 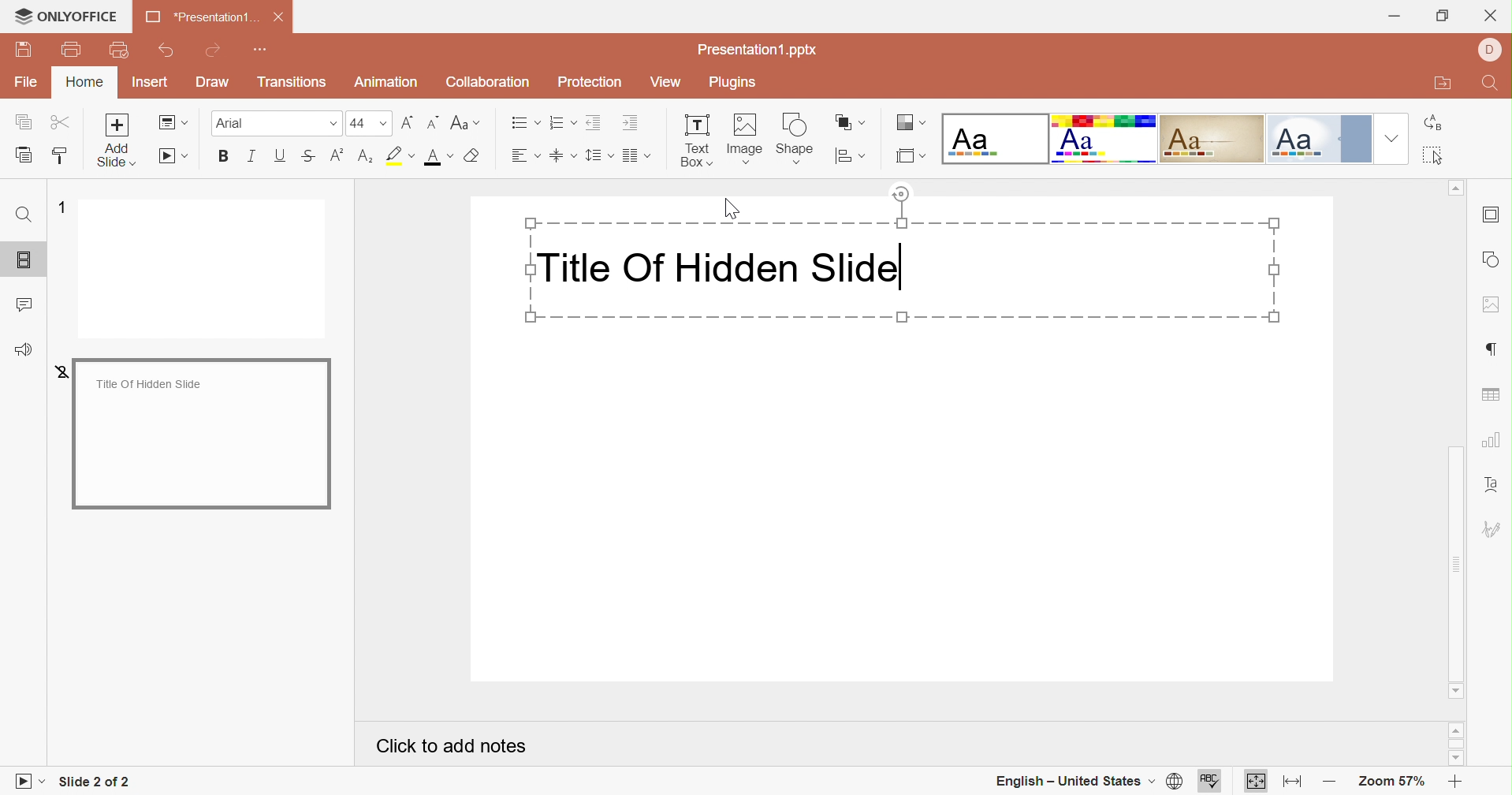 What do you see at coordinates (1435, 155) in the screenshot?
I see `Select all` at bounding box center [1435, 155].